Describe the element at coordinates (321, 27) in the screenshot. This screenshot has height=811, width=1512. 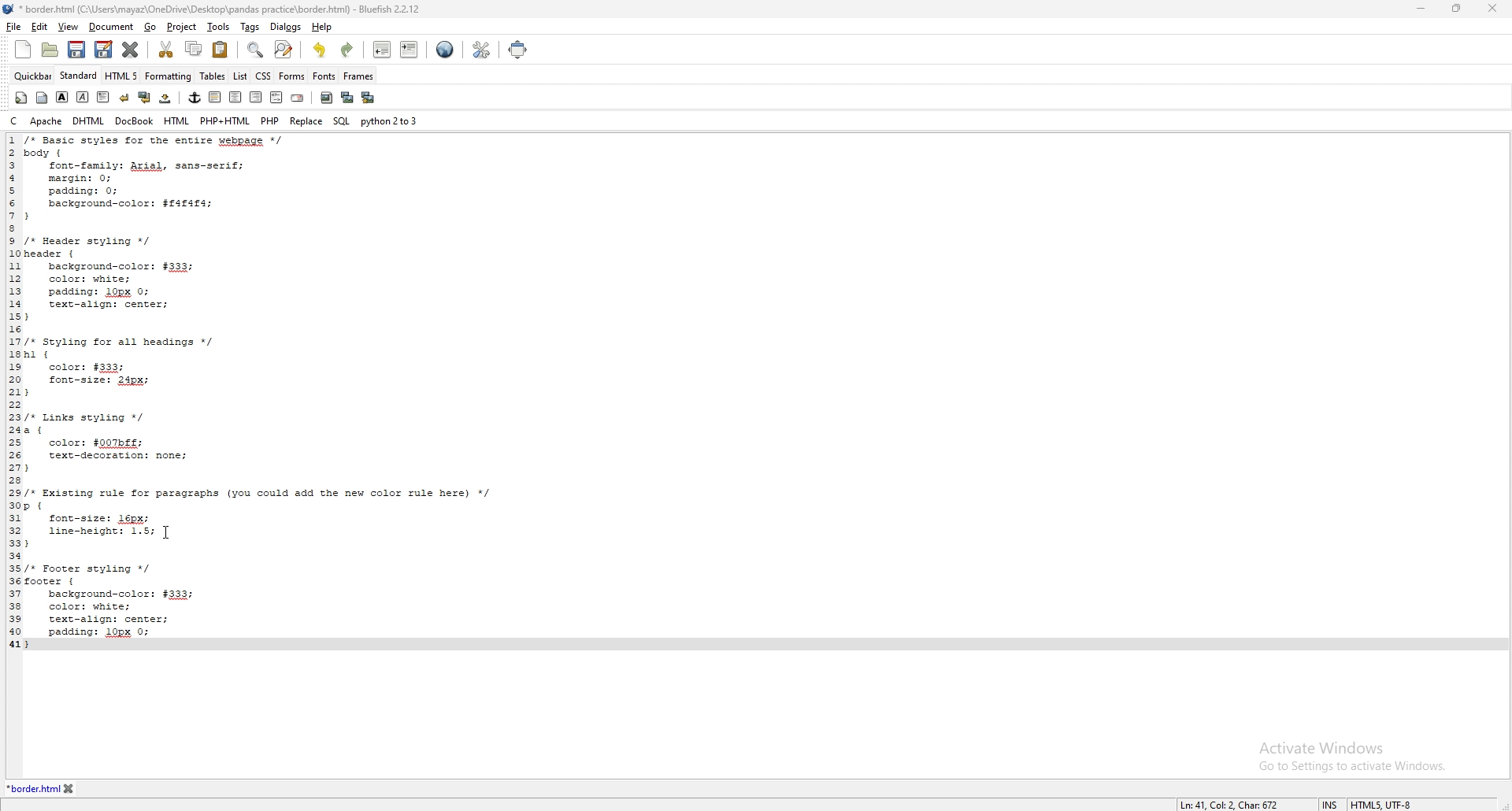
I see `help` at that location.